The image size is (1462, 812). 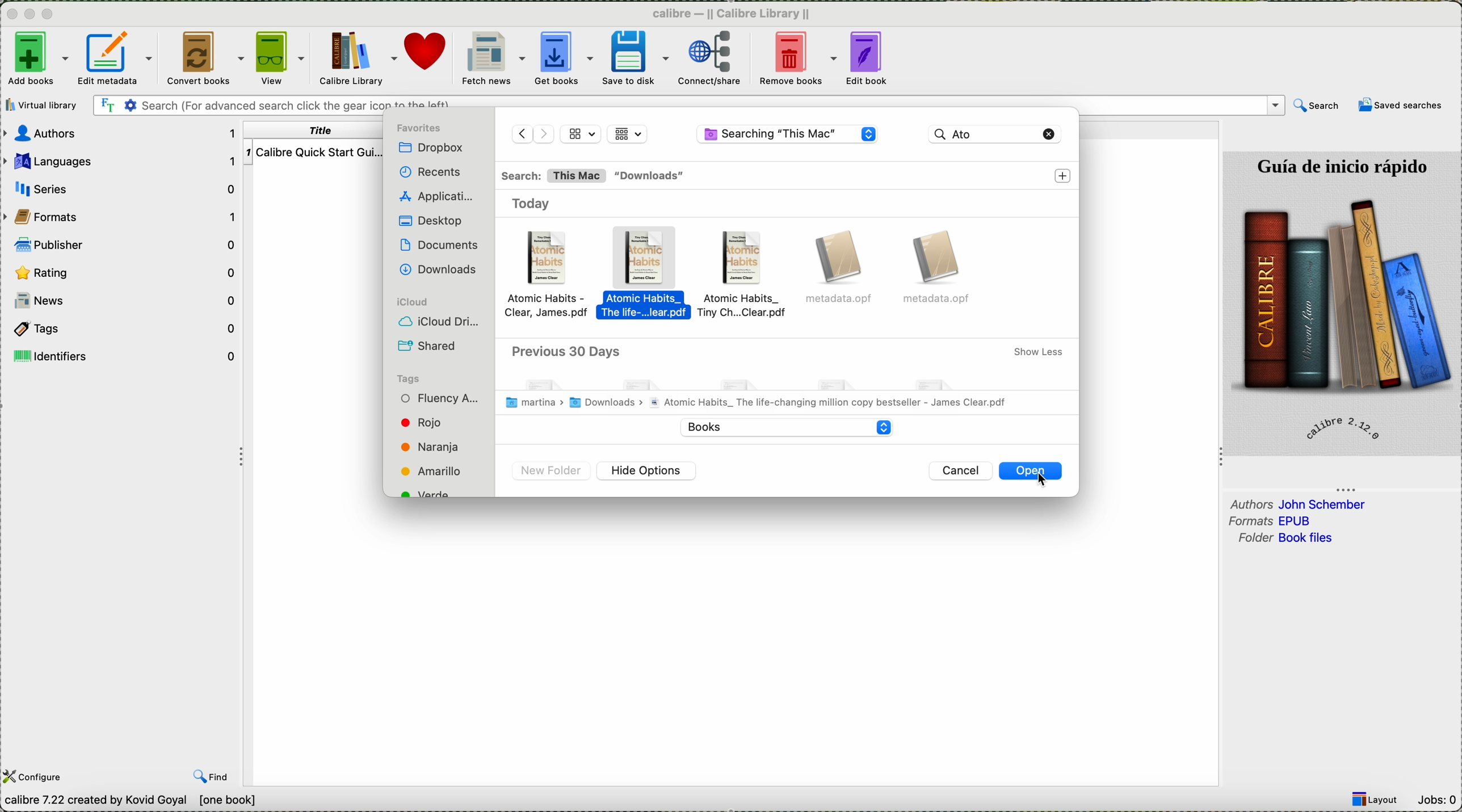 I want to click on find, so click(x=211, y=776).